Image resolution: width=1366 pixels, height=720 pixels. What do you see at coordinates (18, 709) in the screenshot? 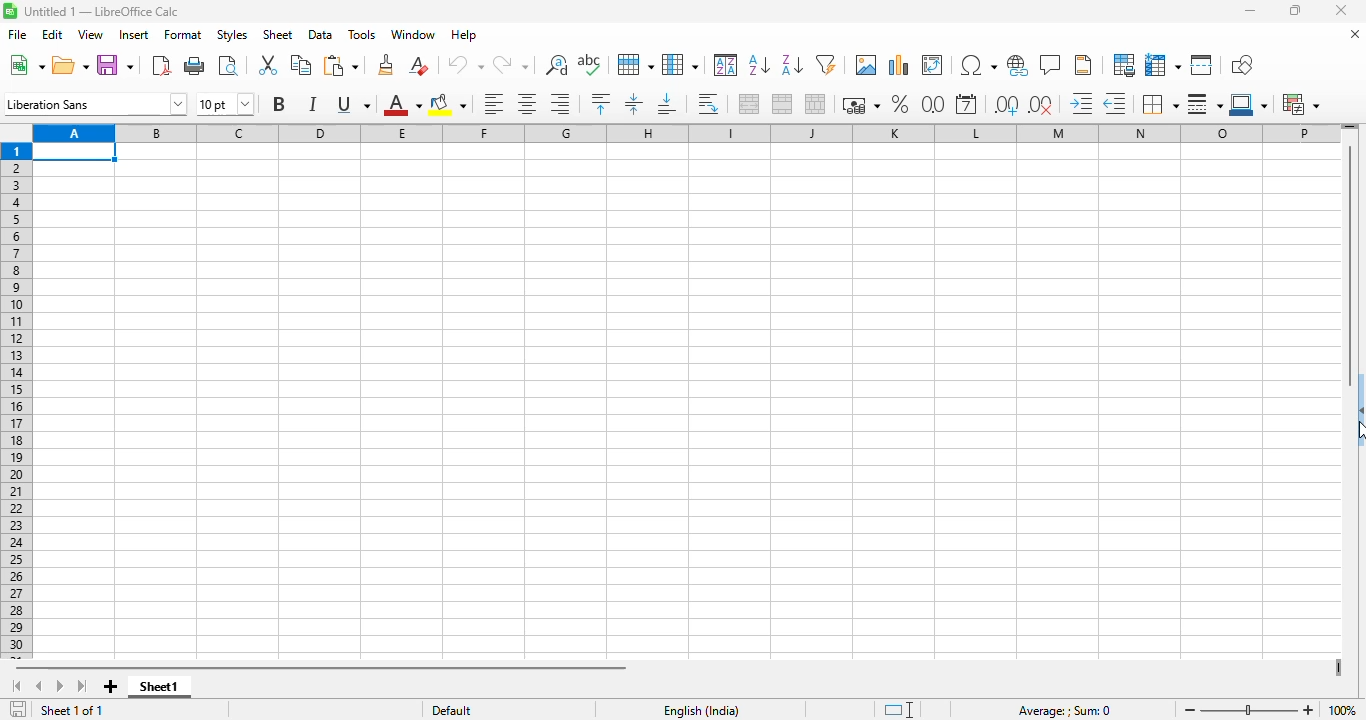
I see `click to save the document` at bounding box center [18, 709].